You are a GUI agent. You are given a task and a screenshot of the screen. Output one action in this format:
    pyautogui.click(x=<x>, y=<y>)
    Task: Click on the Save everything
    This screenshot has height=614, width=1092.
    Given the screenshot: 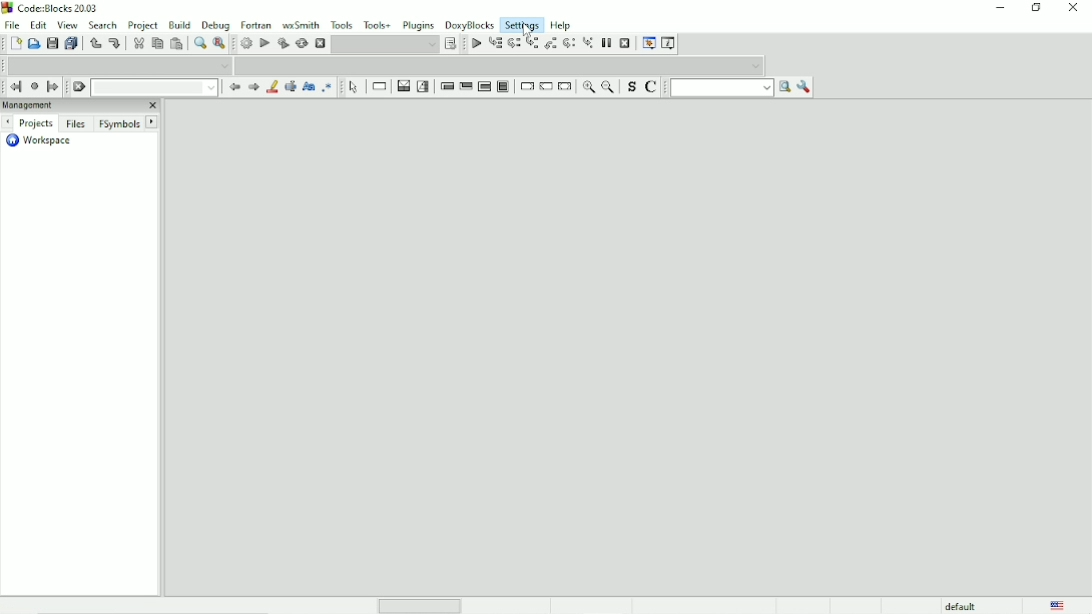 What is the action you would take?
    pyautogui.click(x=70, y=43)
    